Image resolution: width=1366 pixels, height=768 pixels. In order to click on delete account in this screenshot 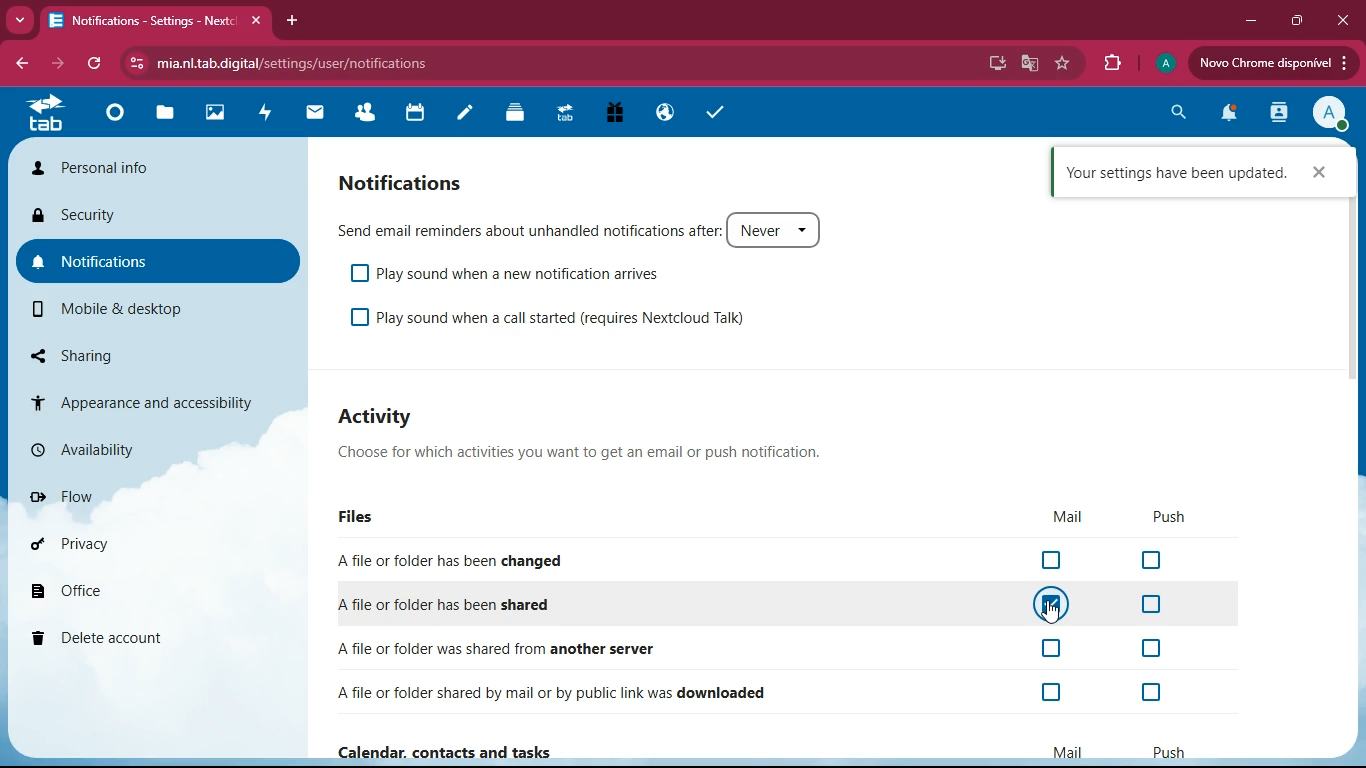, I will do `click(143, 635)`.